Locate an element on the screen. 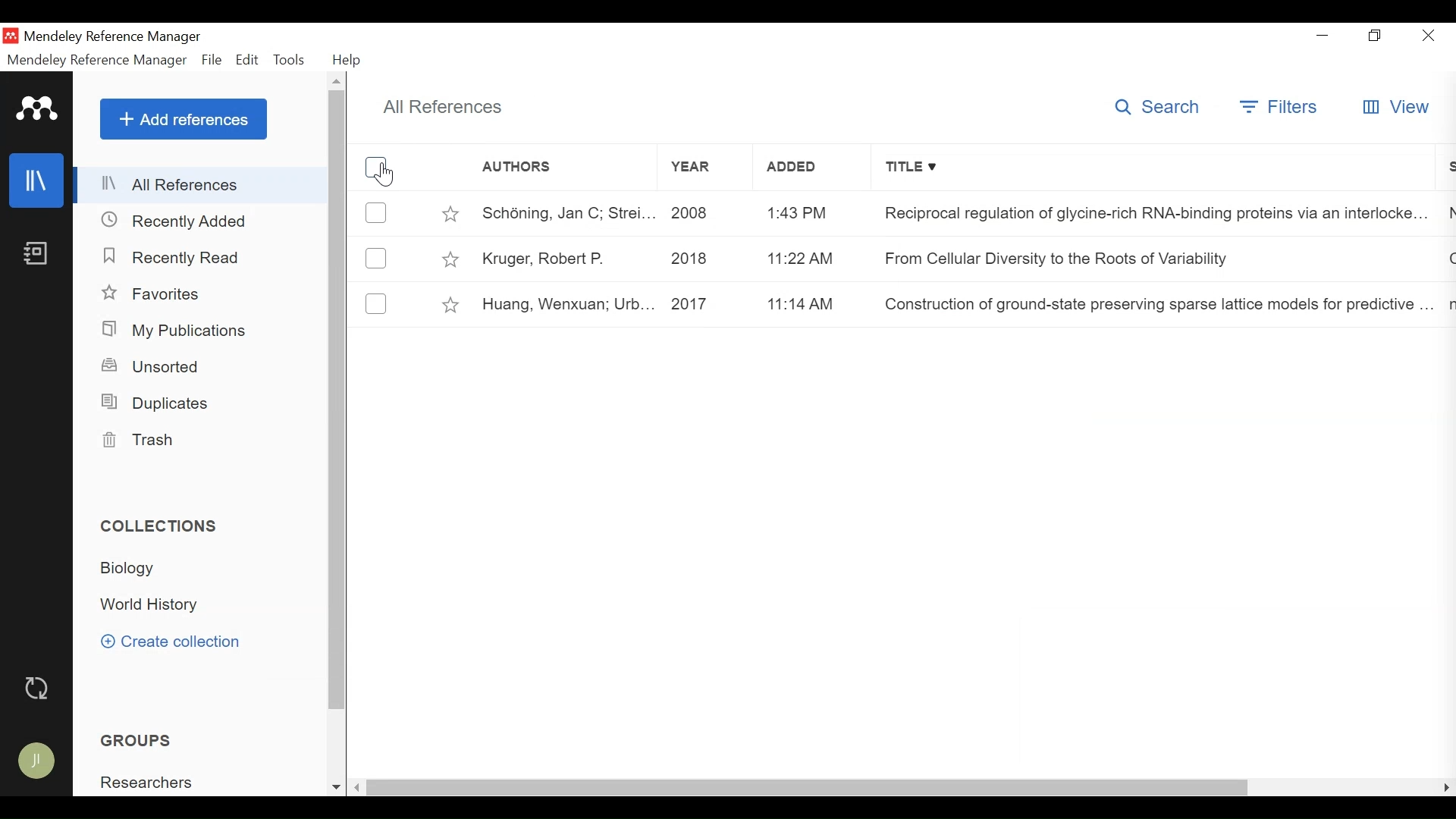 The height and width of the screenshot is (819, 1456). All References is located at coordinates (442, 105).